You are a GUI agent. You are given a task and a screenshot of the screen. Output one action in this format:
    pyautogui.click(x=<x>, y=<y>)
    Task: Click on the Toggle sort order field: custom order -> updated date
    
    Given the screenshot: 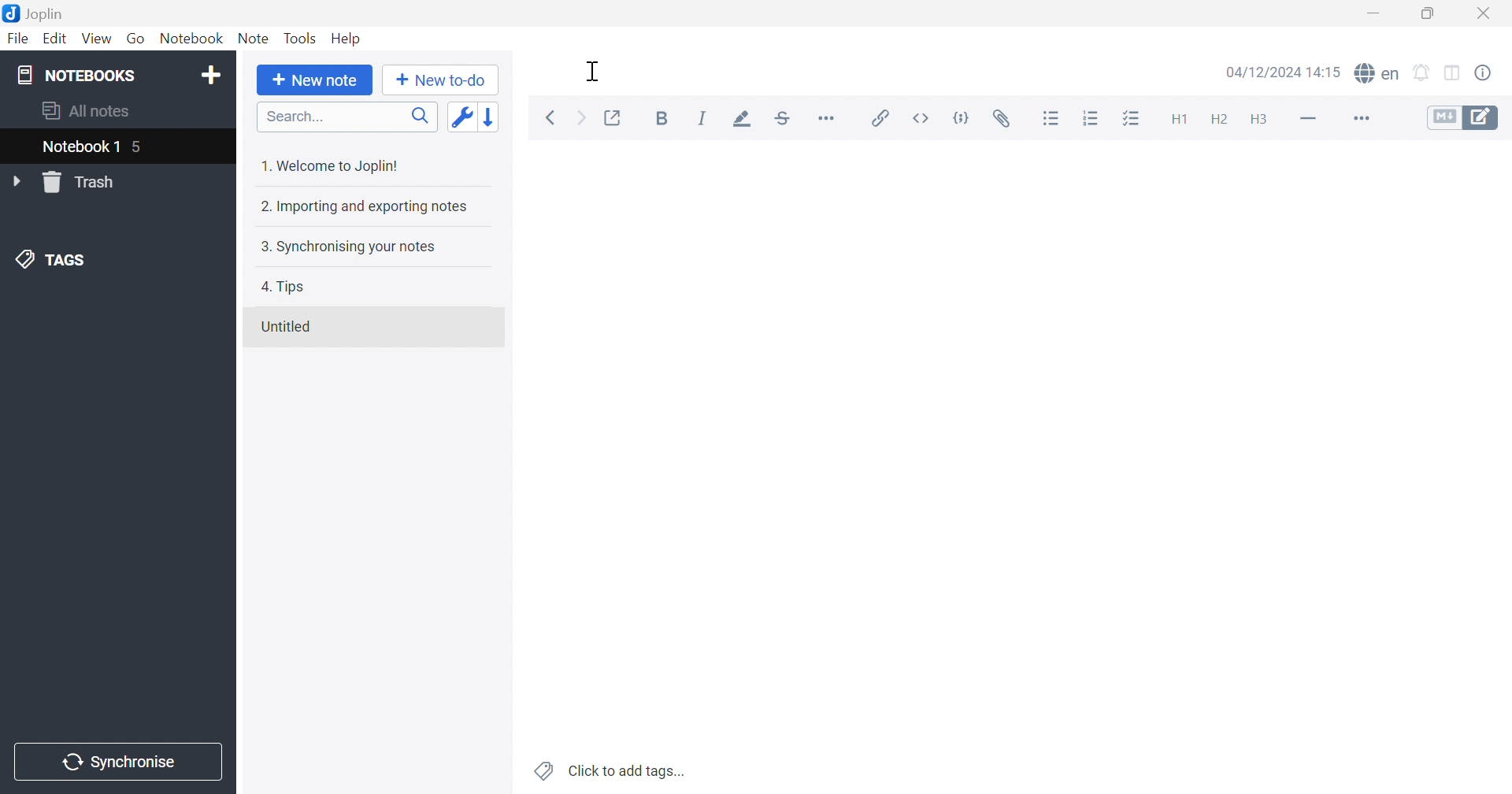 What is the action you would take?
    pyautogui.click(x=461, y=116)
    